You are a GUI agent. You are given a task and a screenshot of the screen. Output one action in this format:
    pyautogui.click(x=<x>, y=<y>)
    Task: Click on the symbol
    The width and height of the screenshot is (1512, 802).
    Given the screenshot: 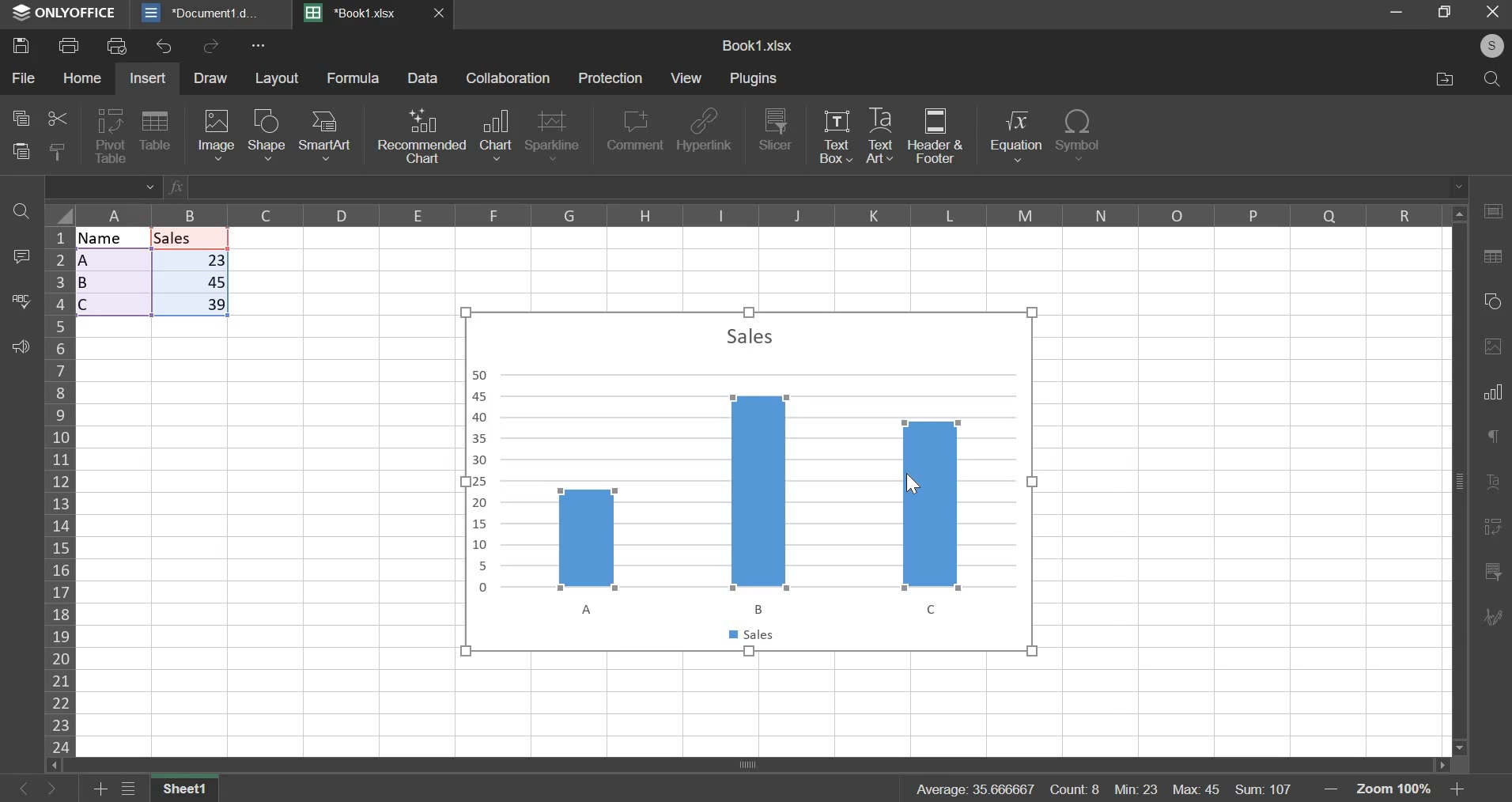 What is the action you would take?
    pyautogui.click(x=1077, y=136)
    